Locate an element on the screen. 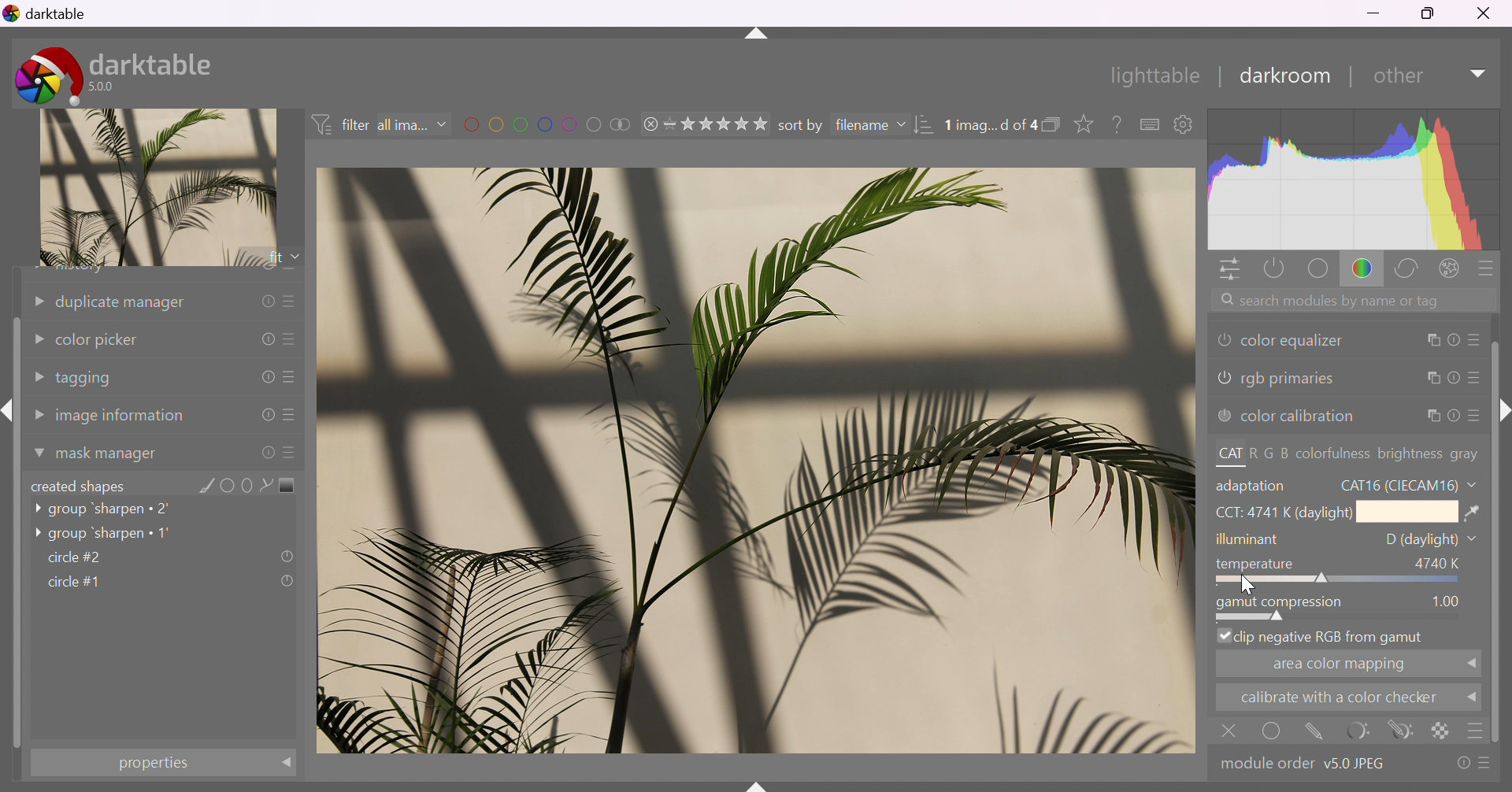  more is located at coordinates (755, 33).